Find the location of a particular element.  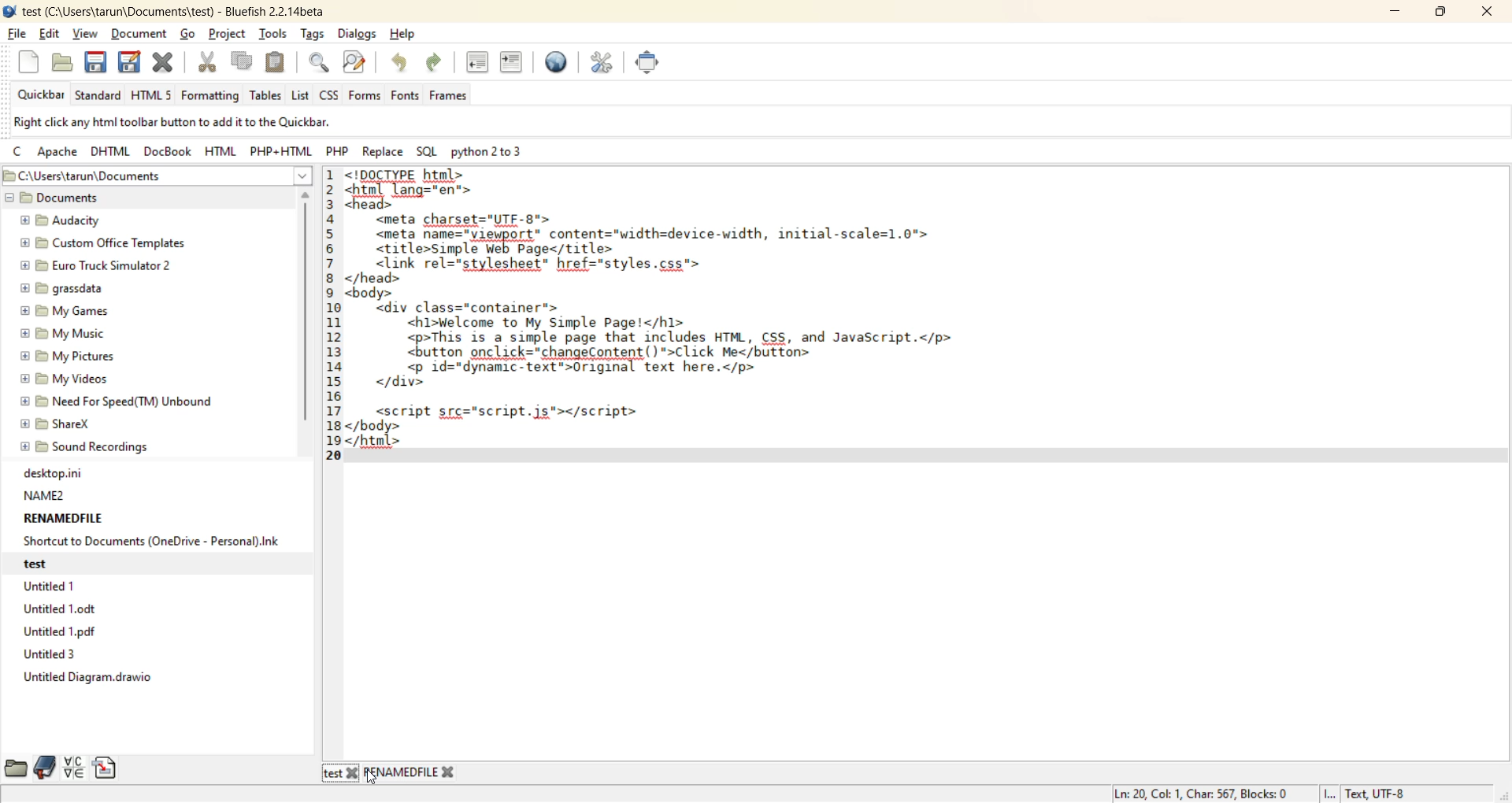

Audacity is located at coordinates (59, 217).